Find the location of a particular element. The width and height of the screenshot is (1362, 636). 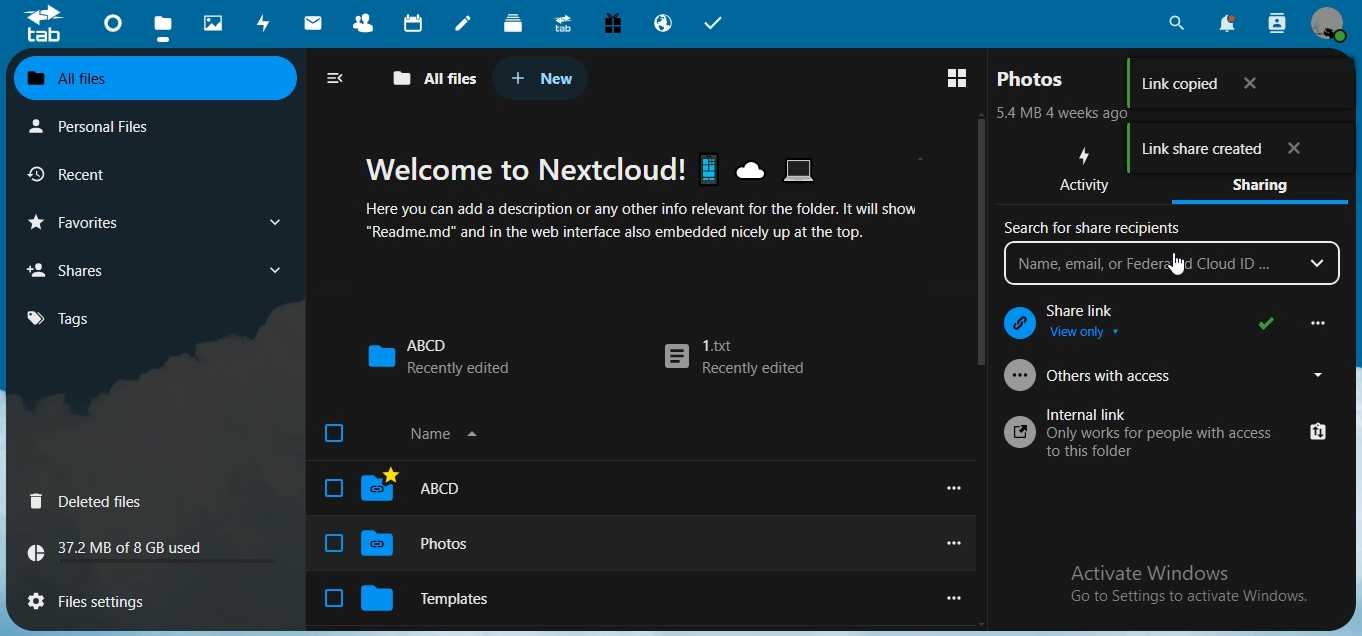

search is located at coordinates (1174, 24).